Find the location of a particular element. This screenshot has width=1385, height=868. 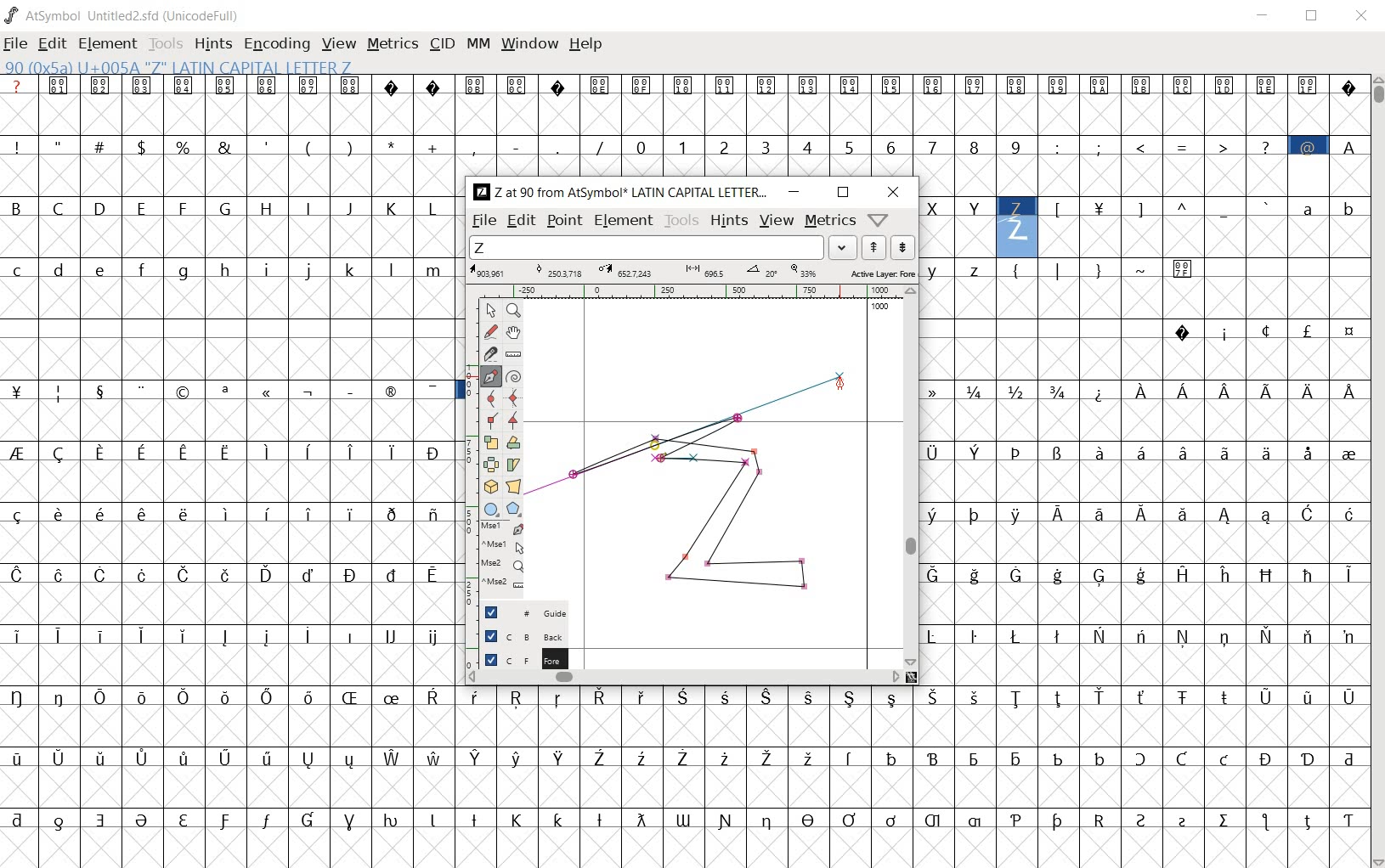

90(0x5a) U+005A "Z" LATIN CAPITAL LETTER Z is located at coordinates (178, 68).